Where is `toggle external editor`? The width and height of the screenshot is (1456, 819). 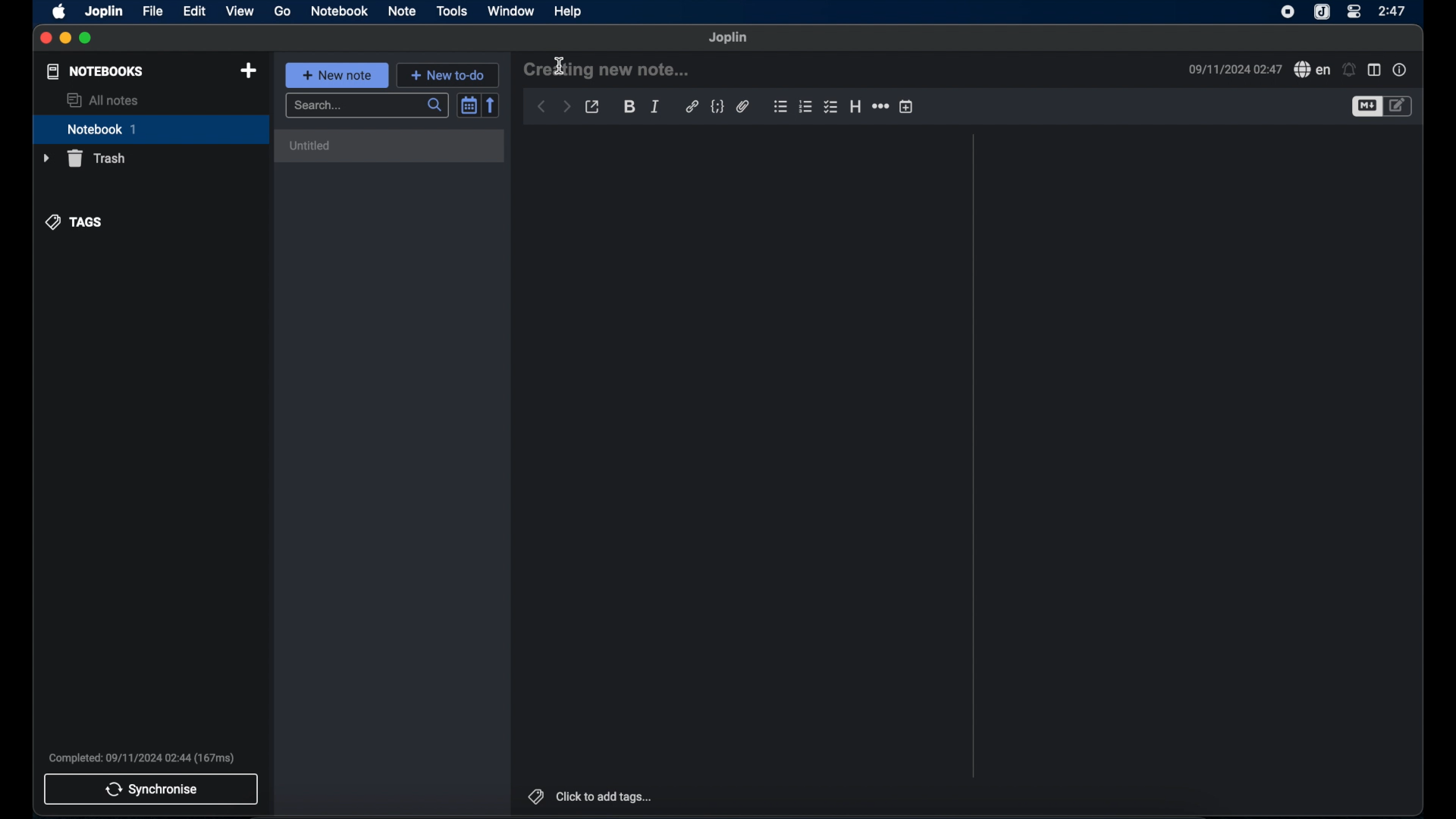 toggle external editor is located at coordinates (592, 108).